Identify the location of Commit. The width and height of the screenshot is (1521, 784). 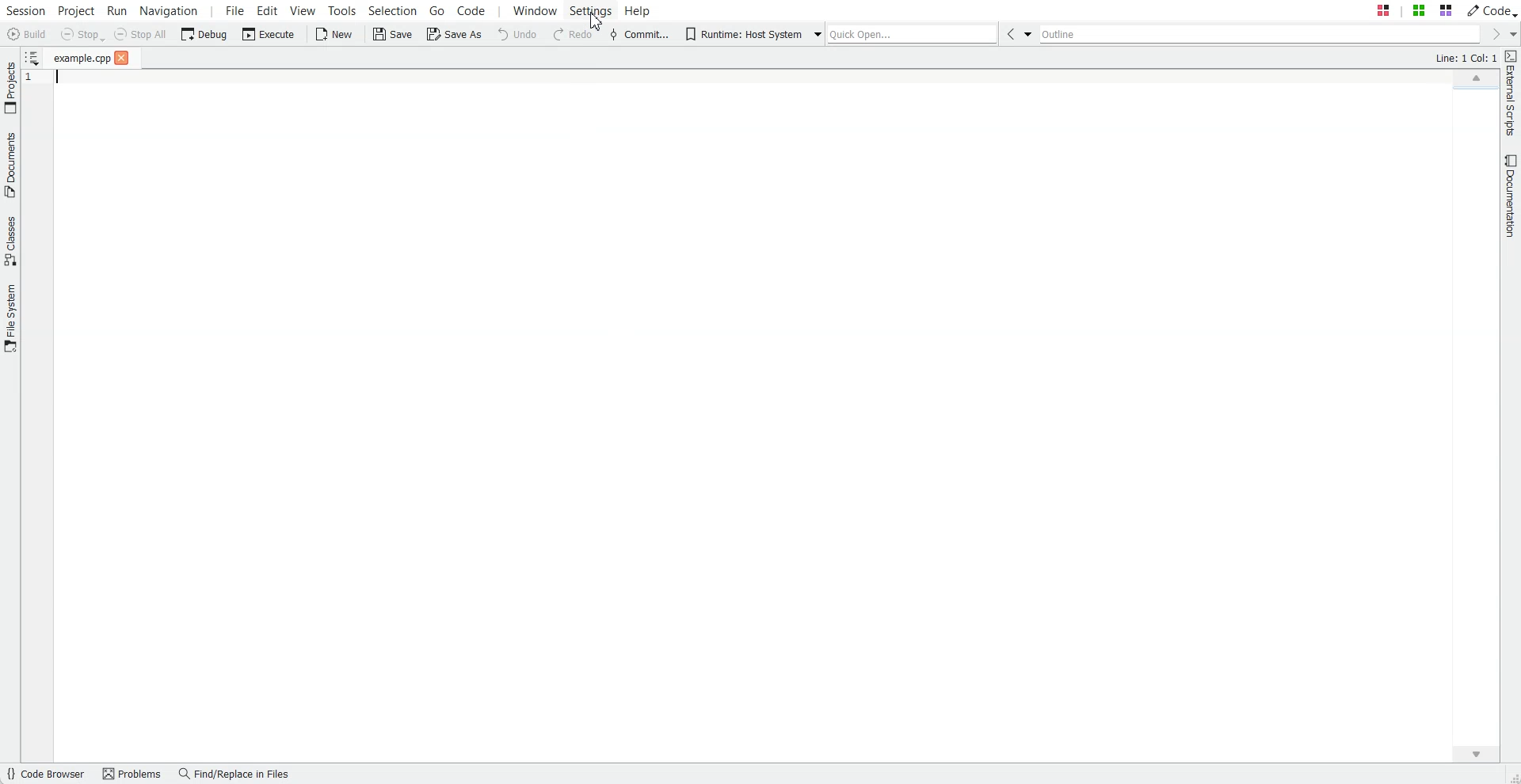
(638, 36).